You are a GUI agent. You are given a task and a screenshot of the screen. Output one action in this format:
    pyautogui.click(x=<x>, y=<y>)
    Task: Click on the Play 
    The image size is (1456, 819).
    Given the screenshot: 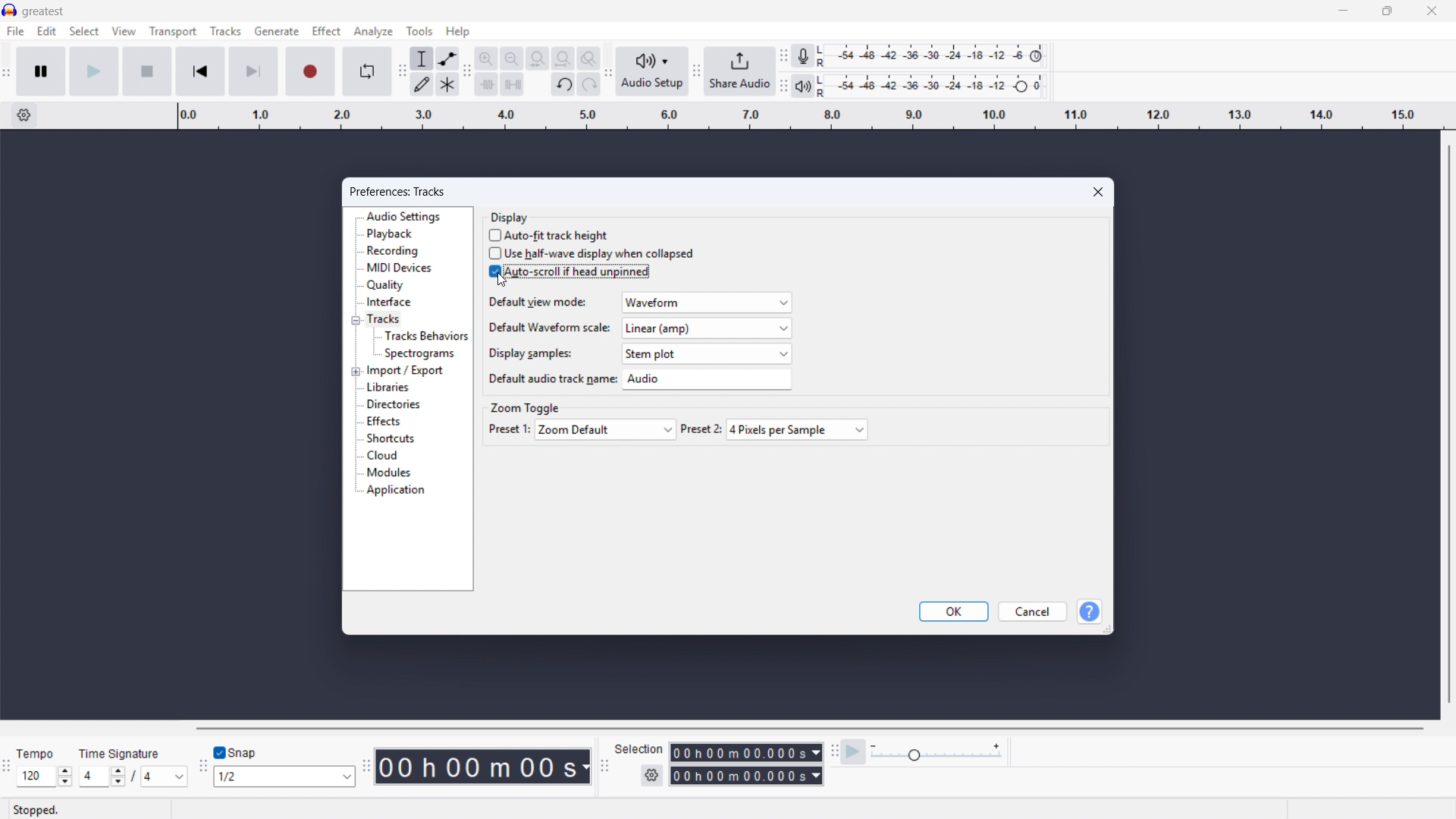 What is the action you would take?
    pyautogui.click(x=94, y=72)
    